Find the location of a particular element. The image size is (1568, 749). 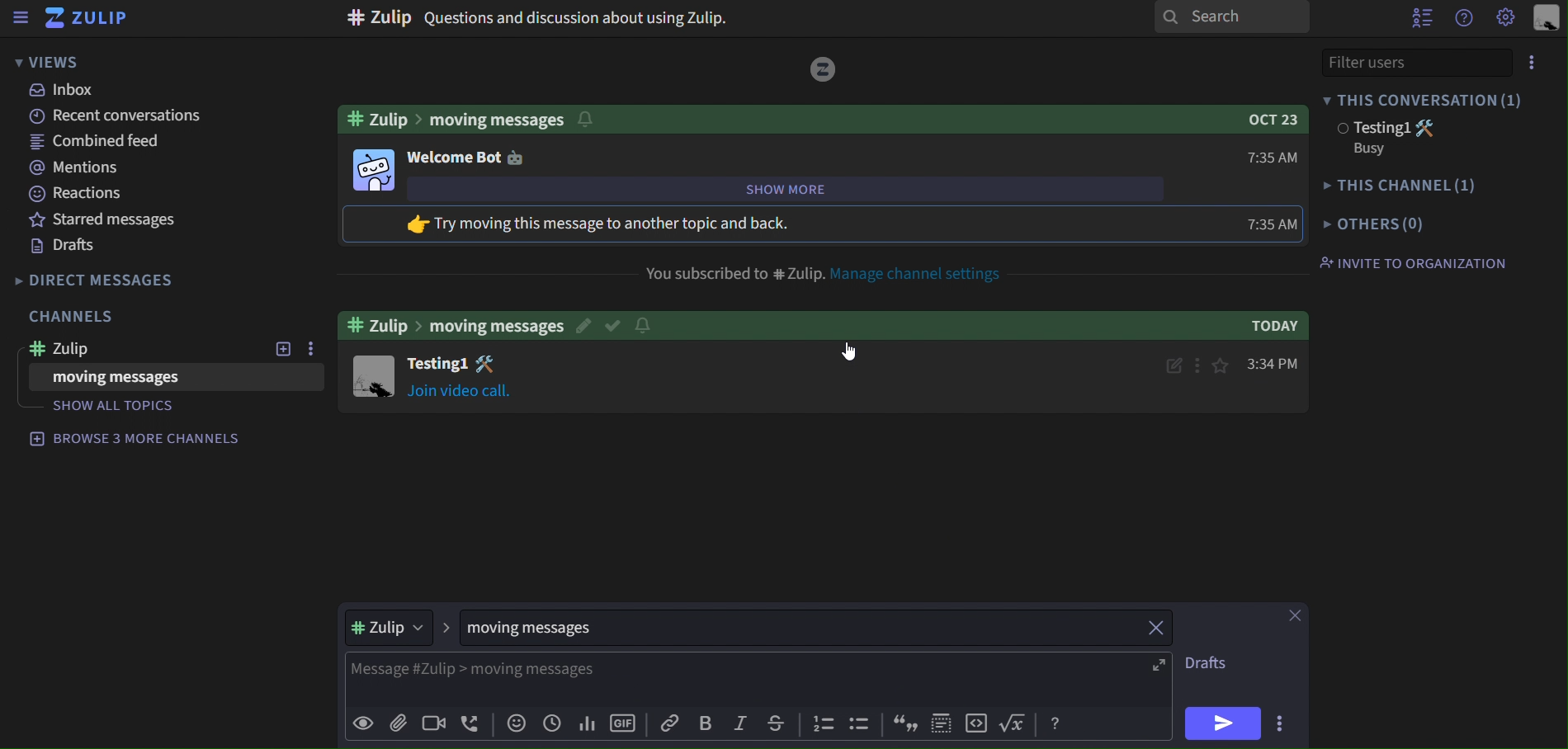

bold is located at coordinates (709, 725).